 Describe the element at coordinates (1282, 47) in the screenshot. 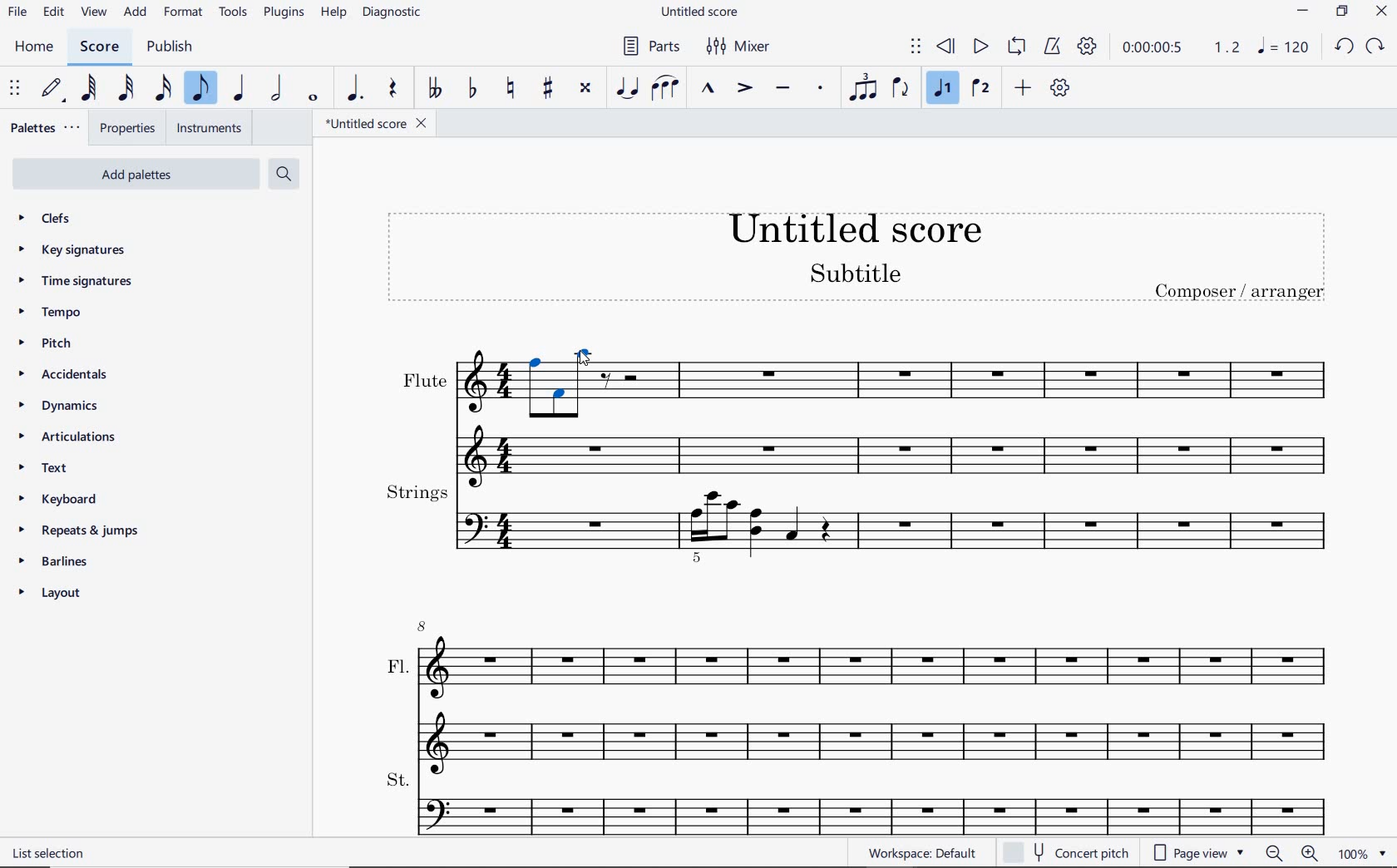

I see `note` at that location.